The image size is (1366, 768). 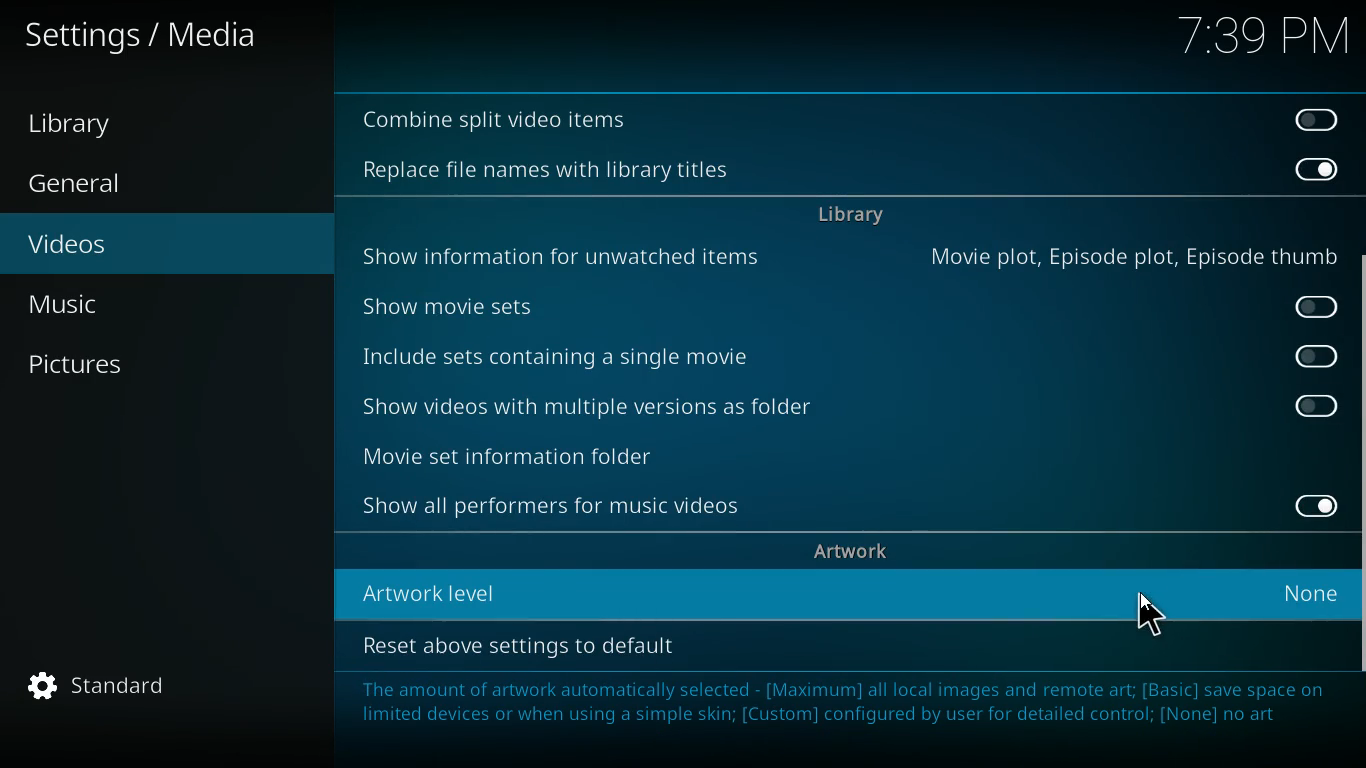 I want to click on None, so click(x=1316, y=591).